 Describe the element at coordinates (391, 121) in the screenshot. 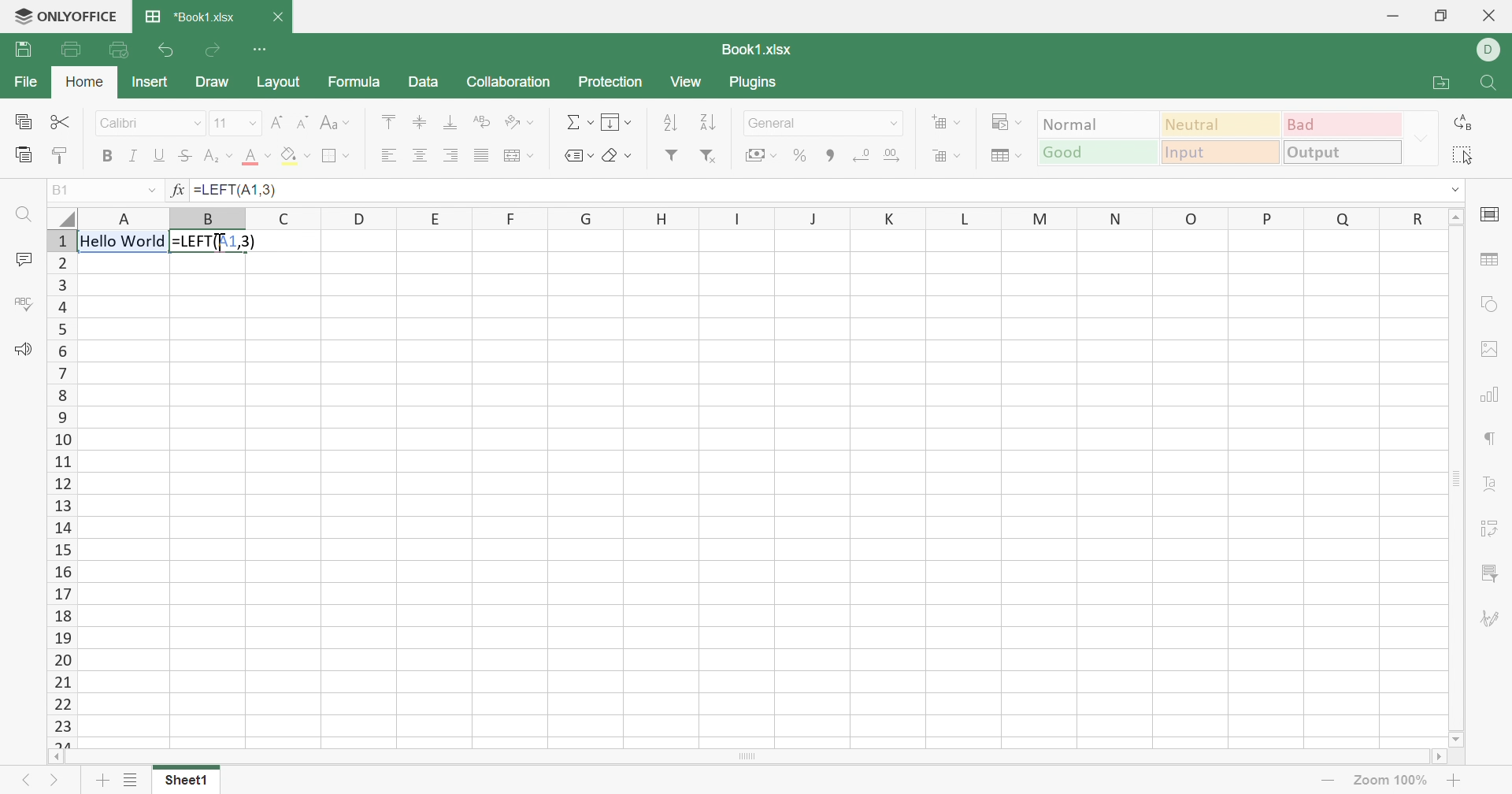

I see `Align top` at that location.